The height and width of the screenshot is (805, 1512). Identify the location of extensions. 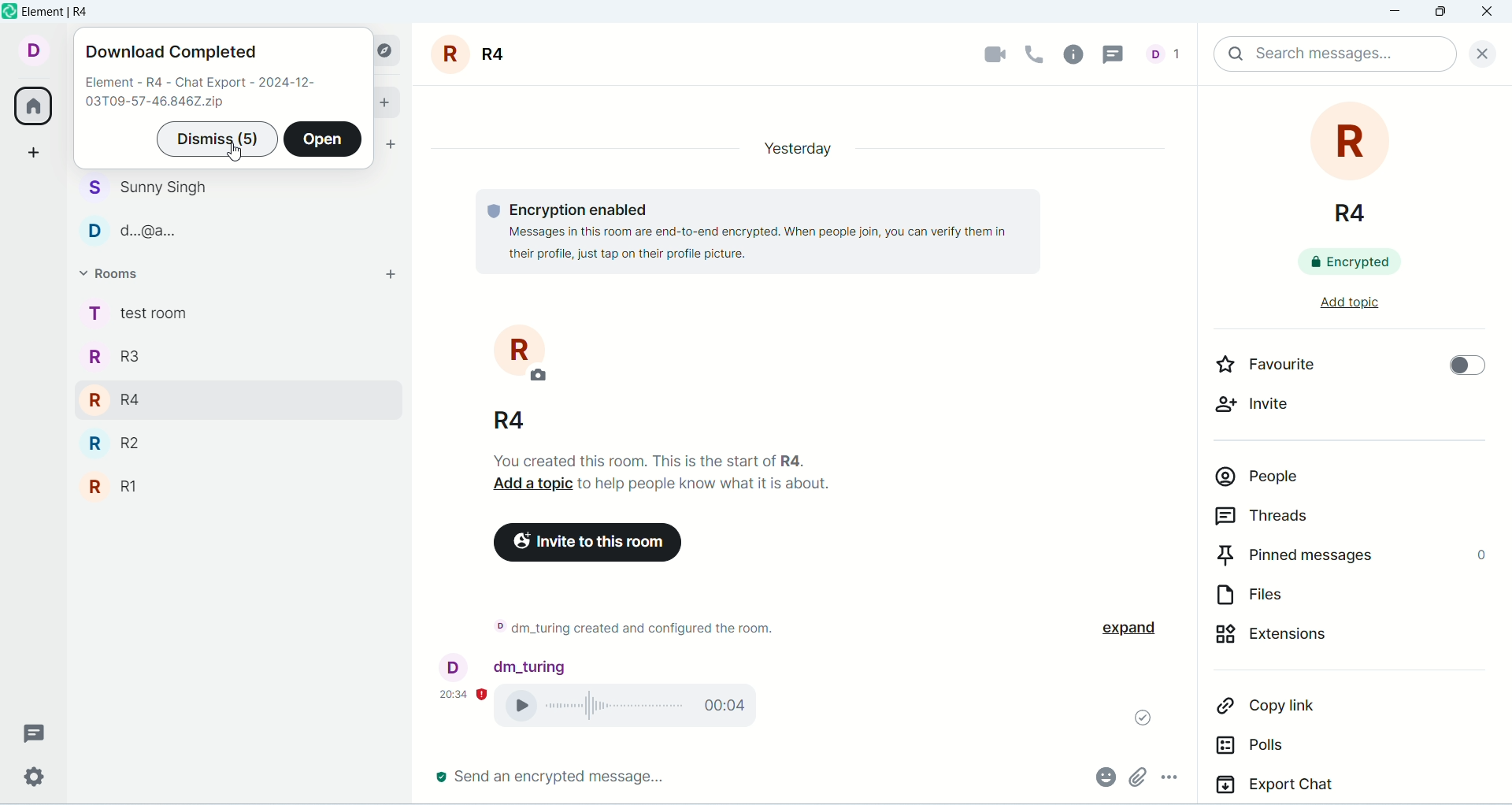
(1327, 643).